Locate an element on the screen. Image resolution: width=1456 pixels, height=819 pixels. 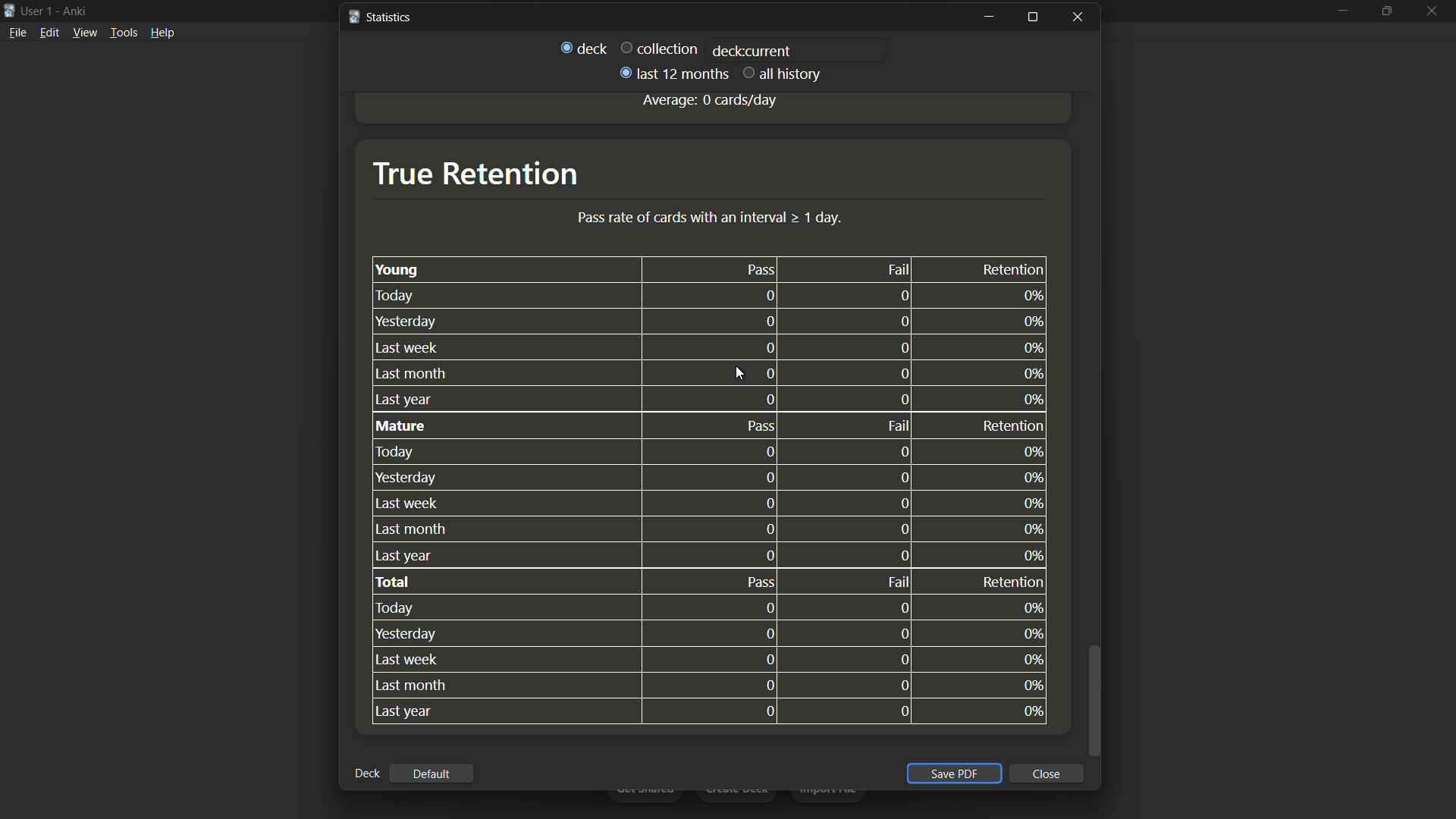
edit menu is located at coordinates (49, 32).